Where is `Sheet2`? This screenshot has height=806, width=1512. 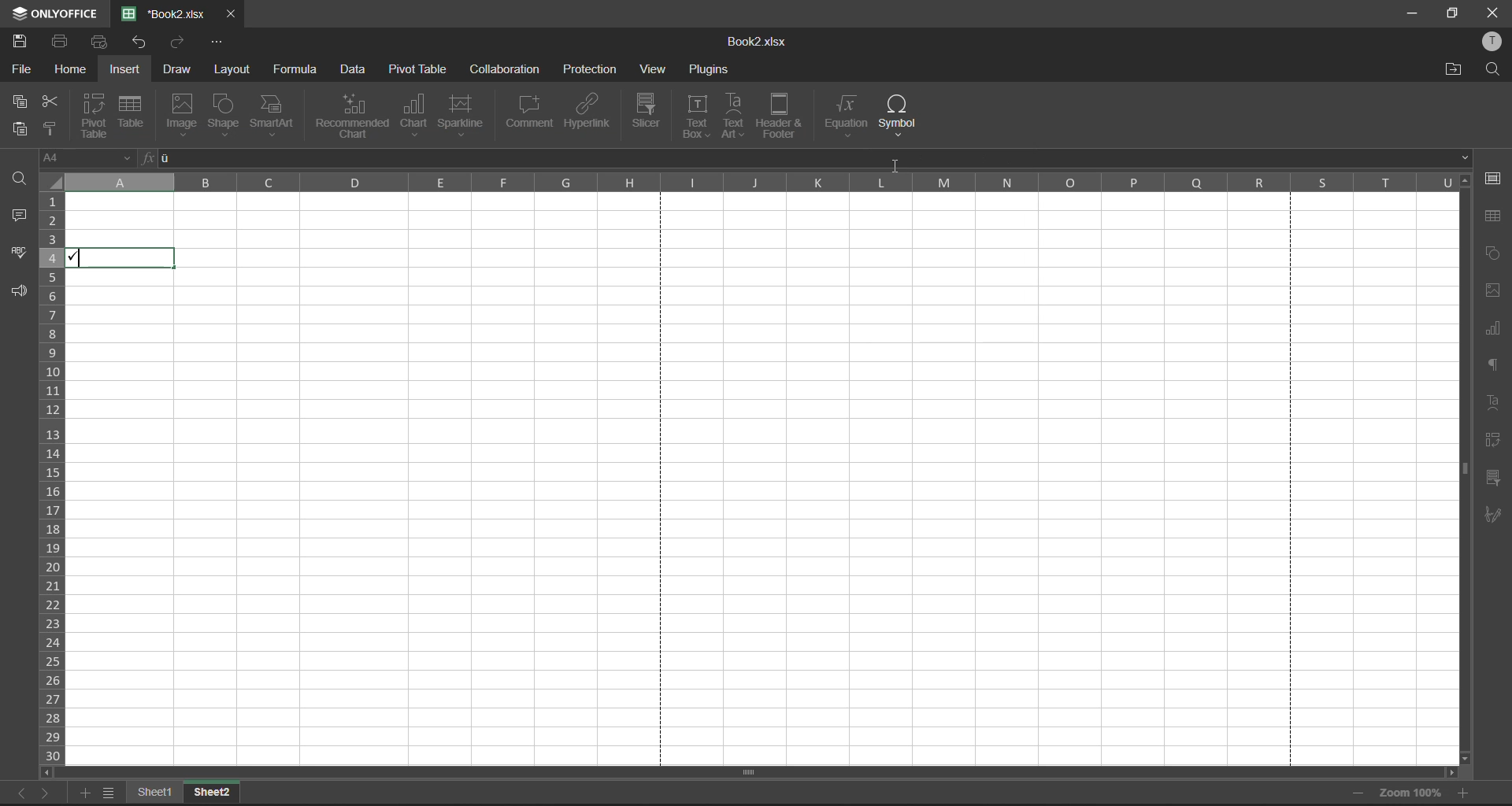 Sheet2 is located at coordinates (216, 792).